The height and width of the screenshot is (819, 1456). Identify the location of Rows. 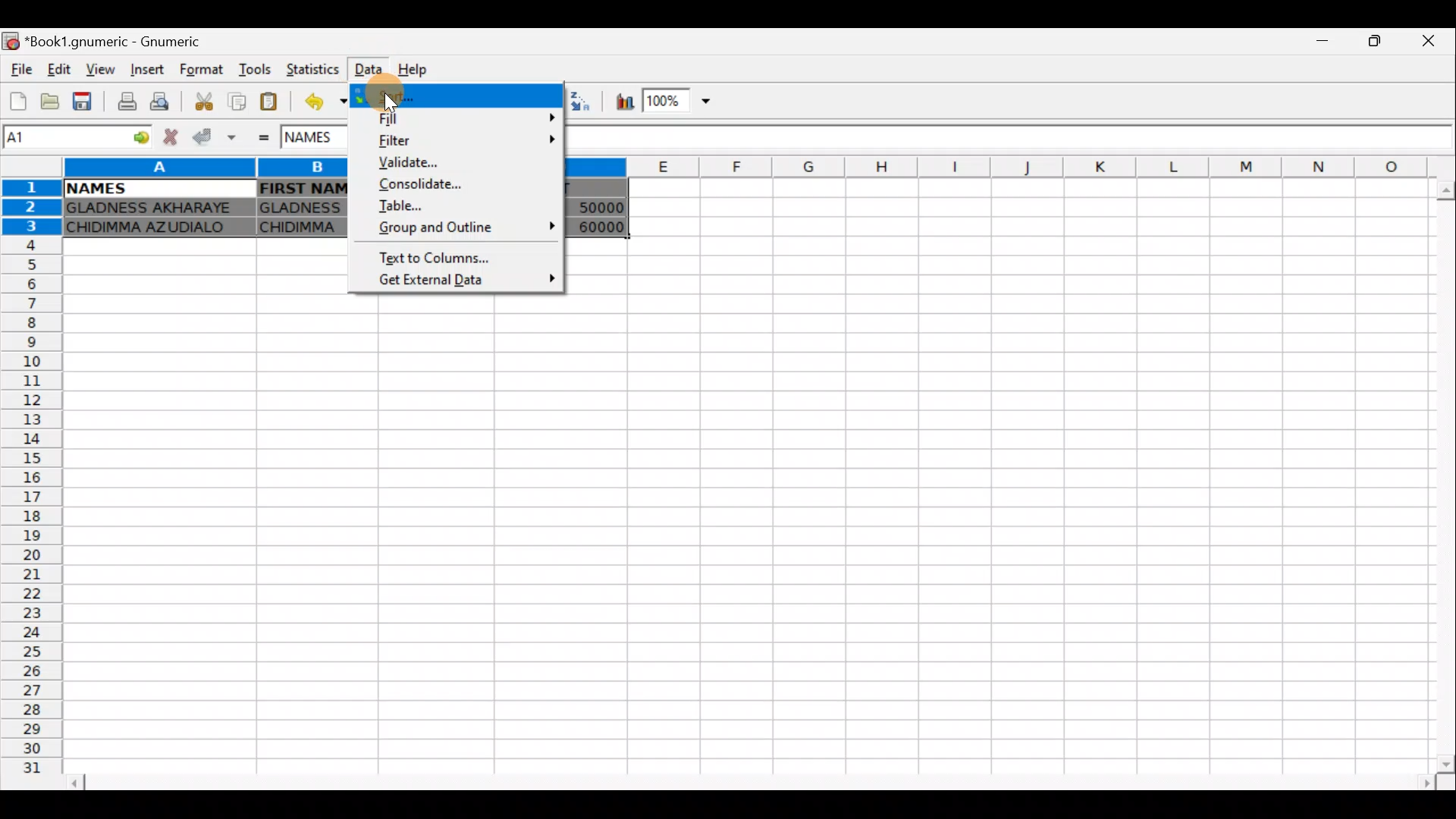
(29, 485).